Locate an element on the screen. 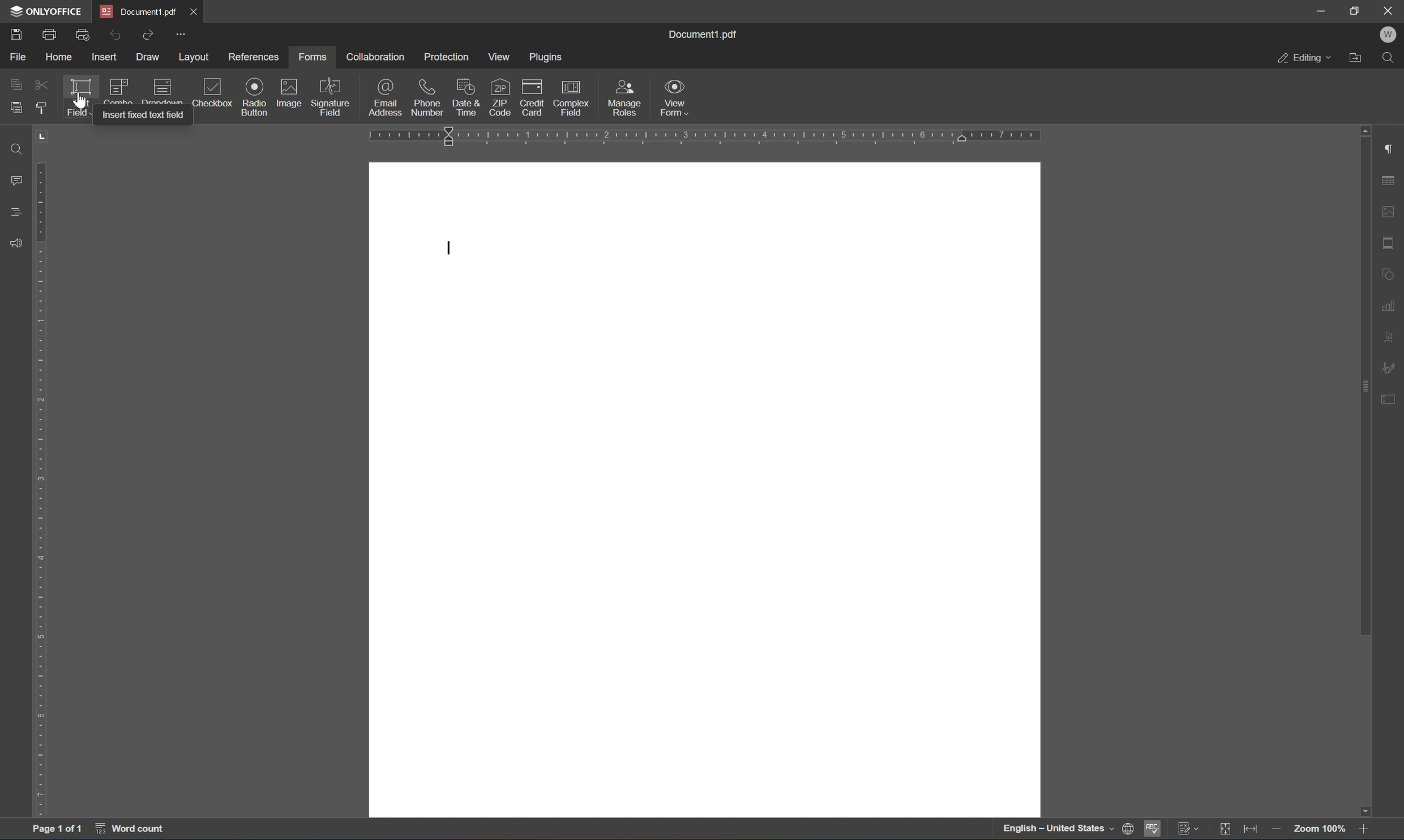  find is located at coordinates (14, 149).